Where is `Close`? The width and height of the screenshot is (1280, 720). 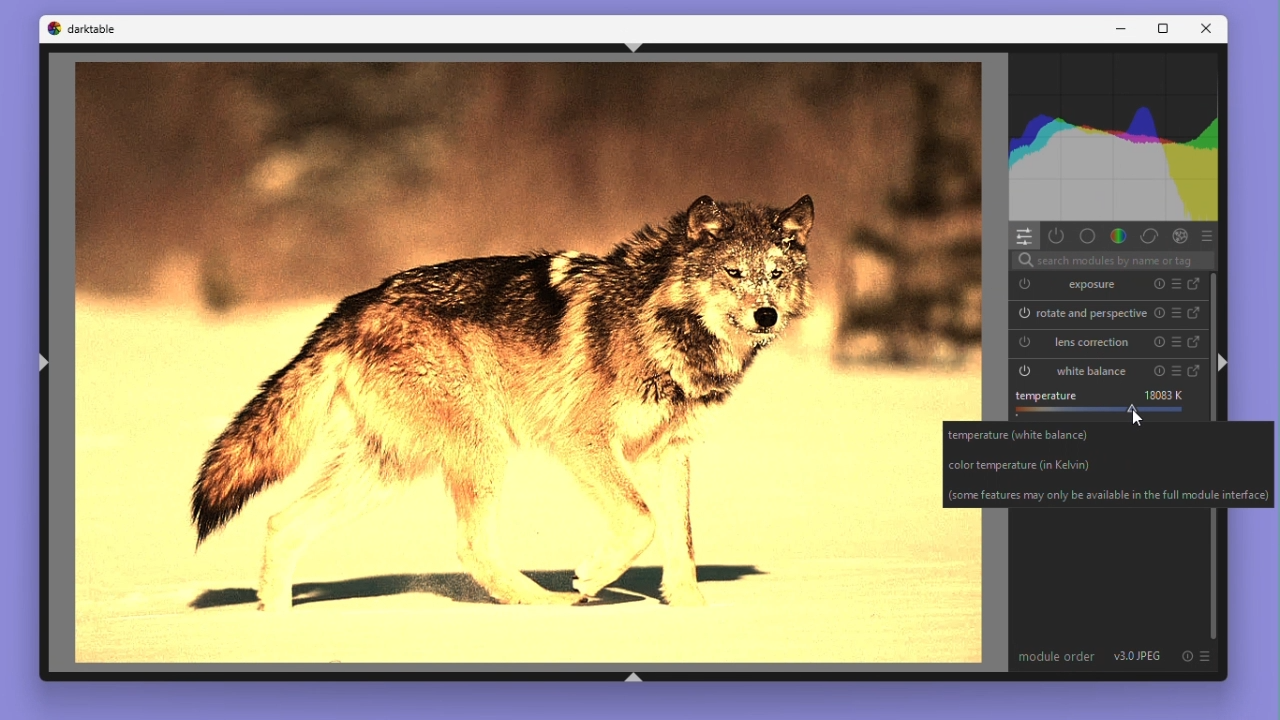
Close is located at coordinates (1211, 29).